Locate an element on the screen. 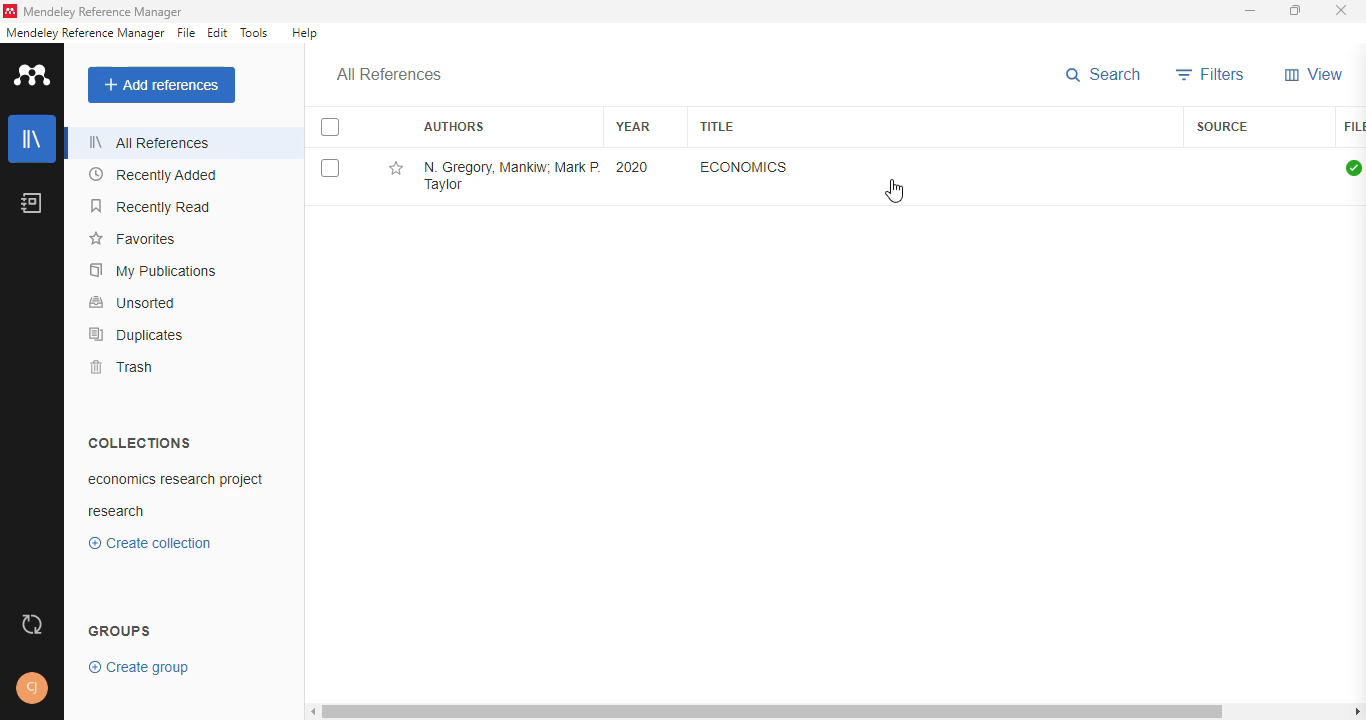 Image resolution: width=1366 pixels, height=720 pixels. select is located at coordinates (330, 168).